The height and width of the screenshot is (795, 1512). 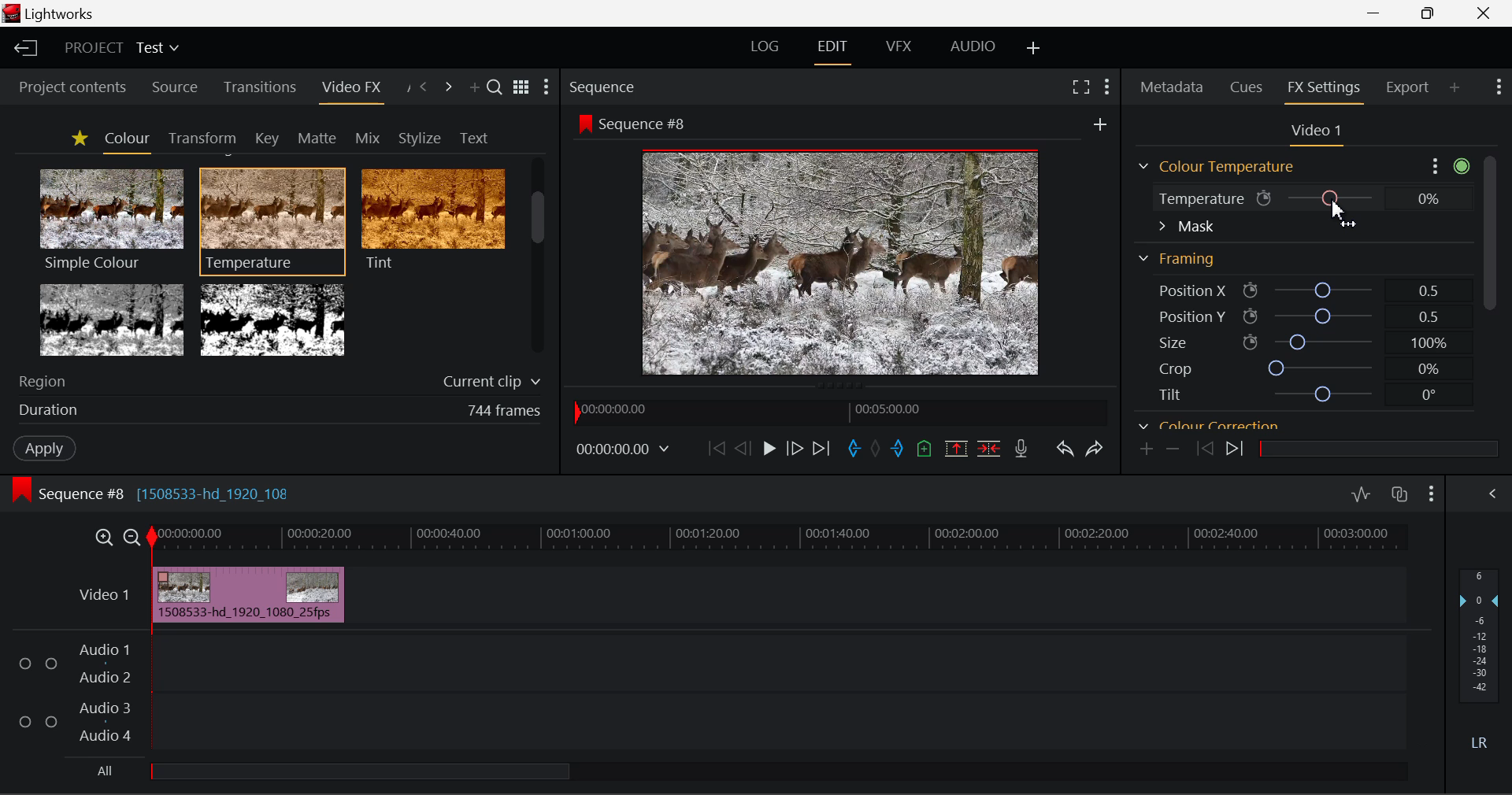 I want to click on Mask, so click(x=1187, y=227).